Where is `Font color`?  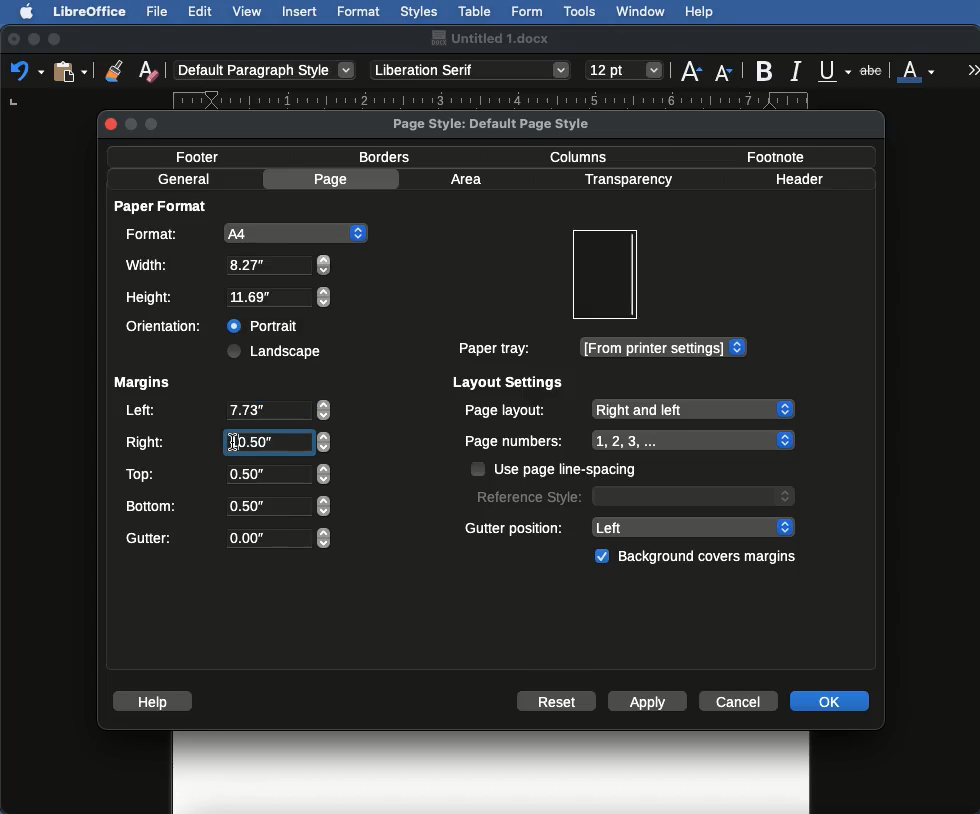
Font color is located at coordinates (917, 69).